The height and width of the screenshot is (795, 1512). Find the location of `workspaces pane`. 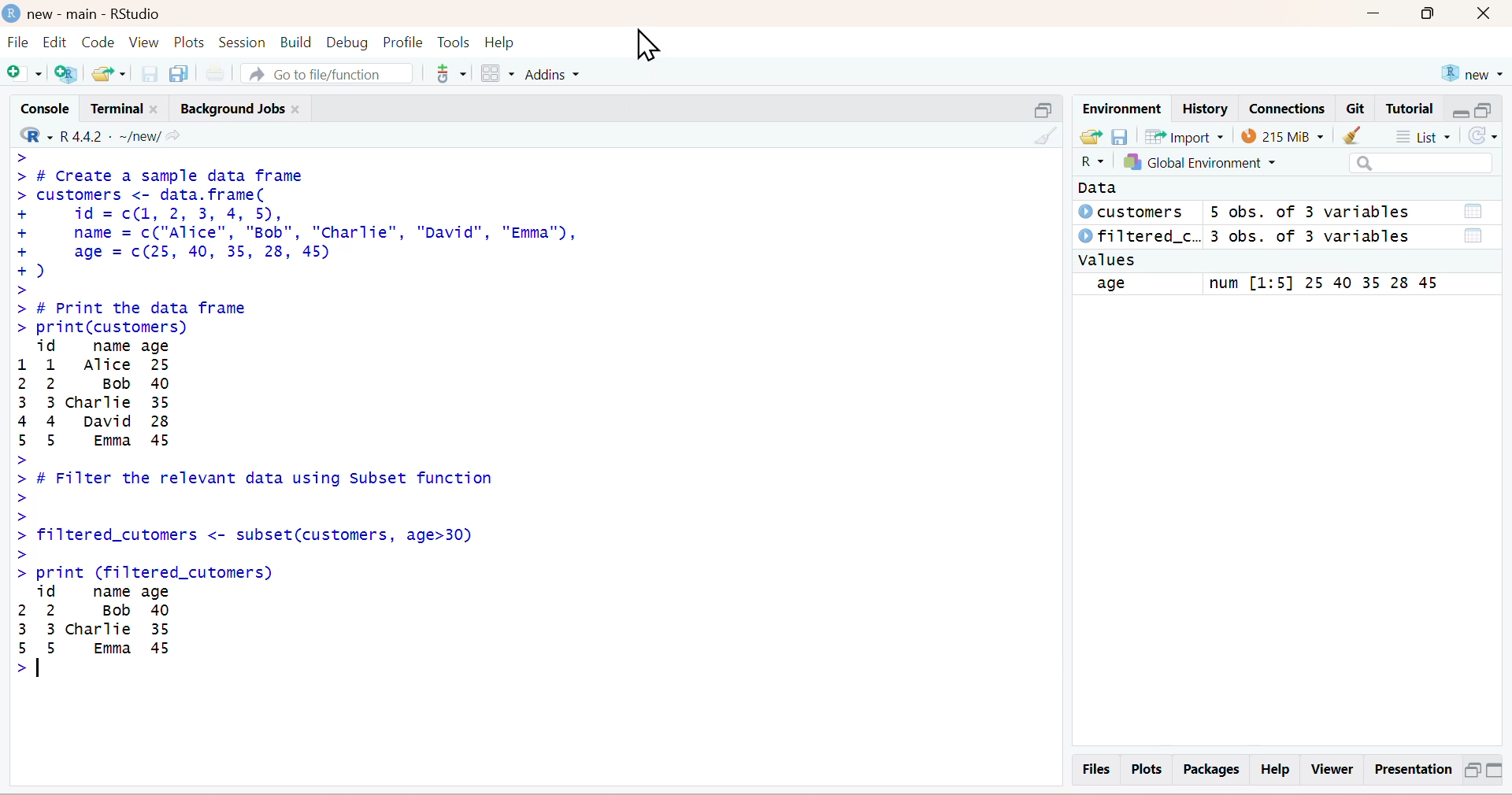

workspaces pane is located at coordinates (495, 71).